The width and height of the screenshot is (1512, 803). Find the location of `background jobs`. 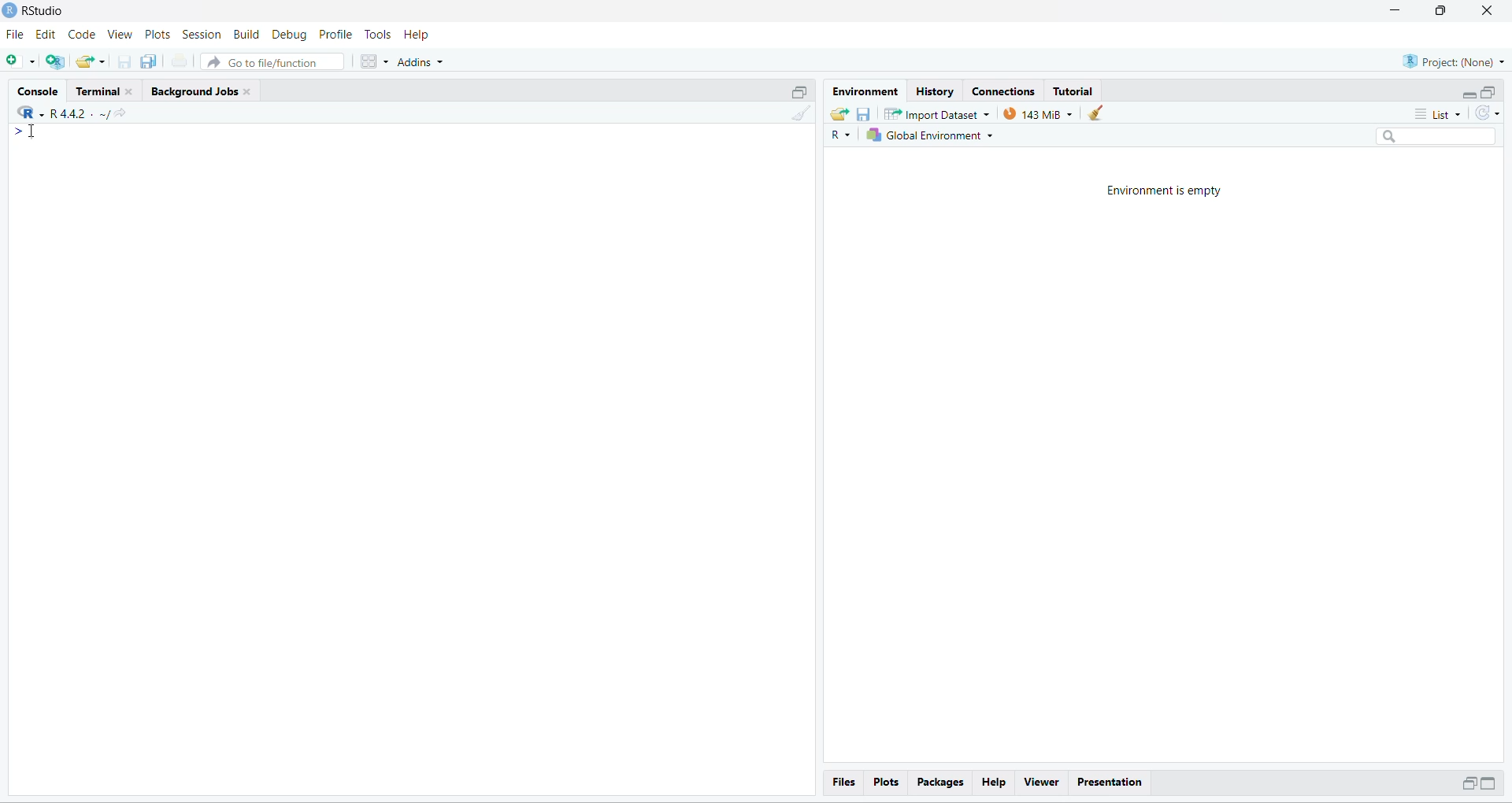

background jobs is located at coordinates (194, 94).